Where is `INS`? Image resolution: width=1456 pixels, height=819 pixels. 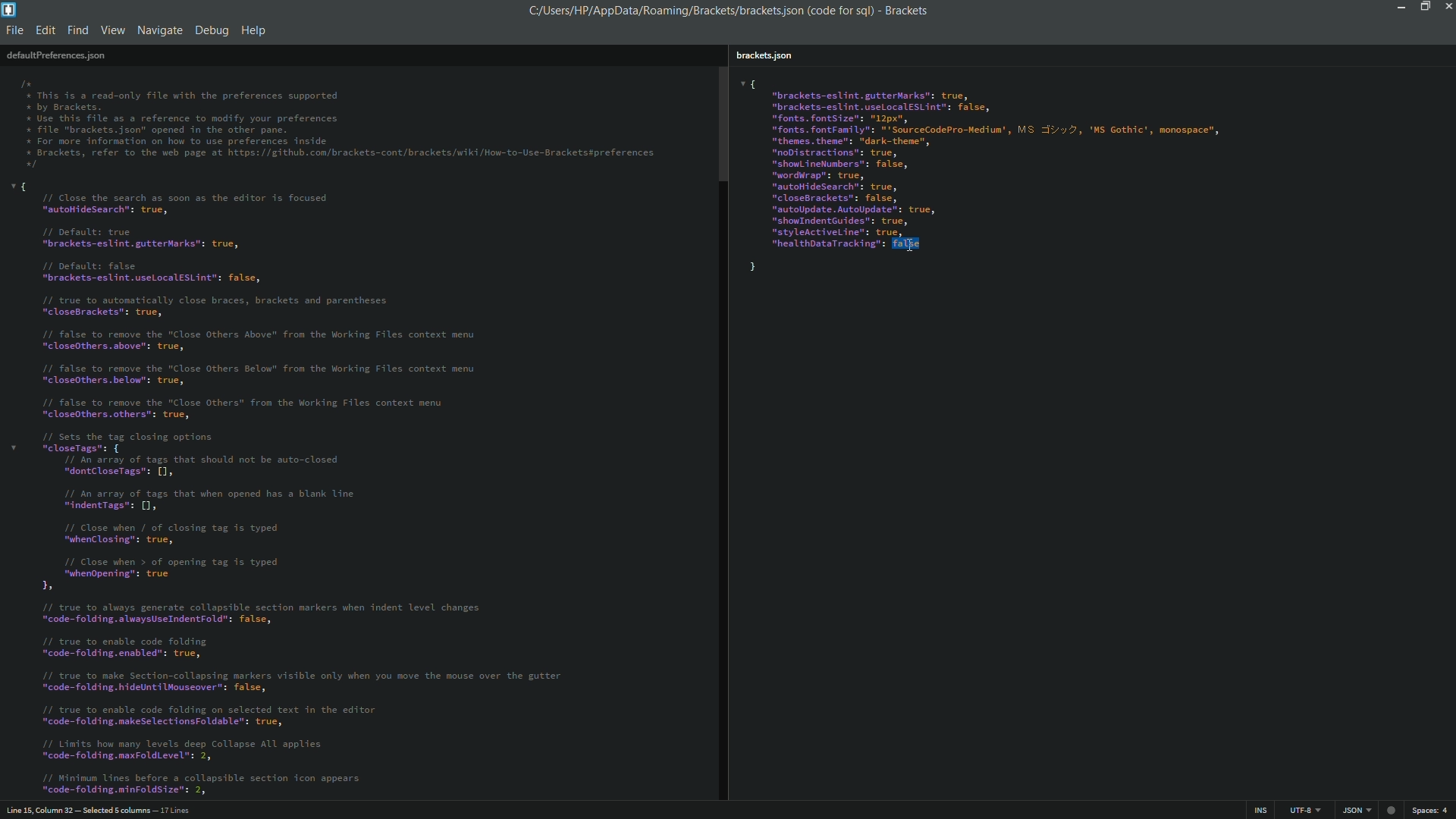 INS is located at coordinates (1257, 811).